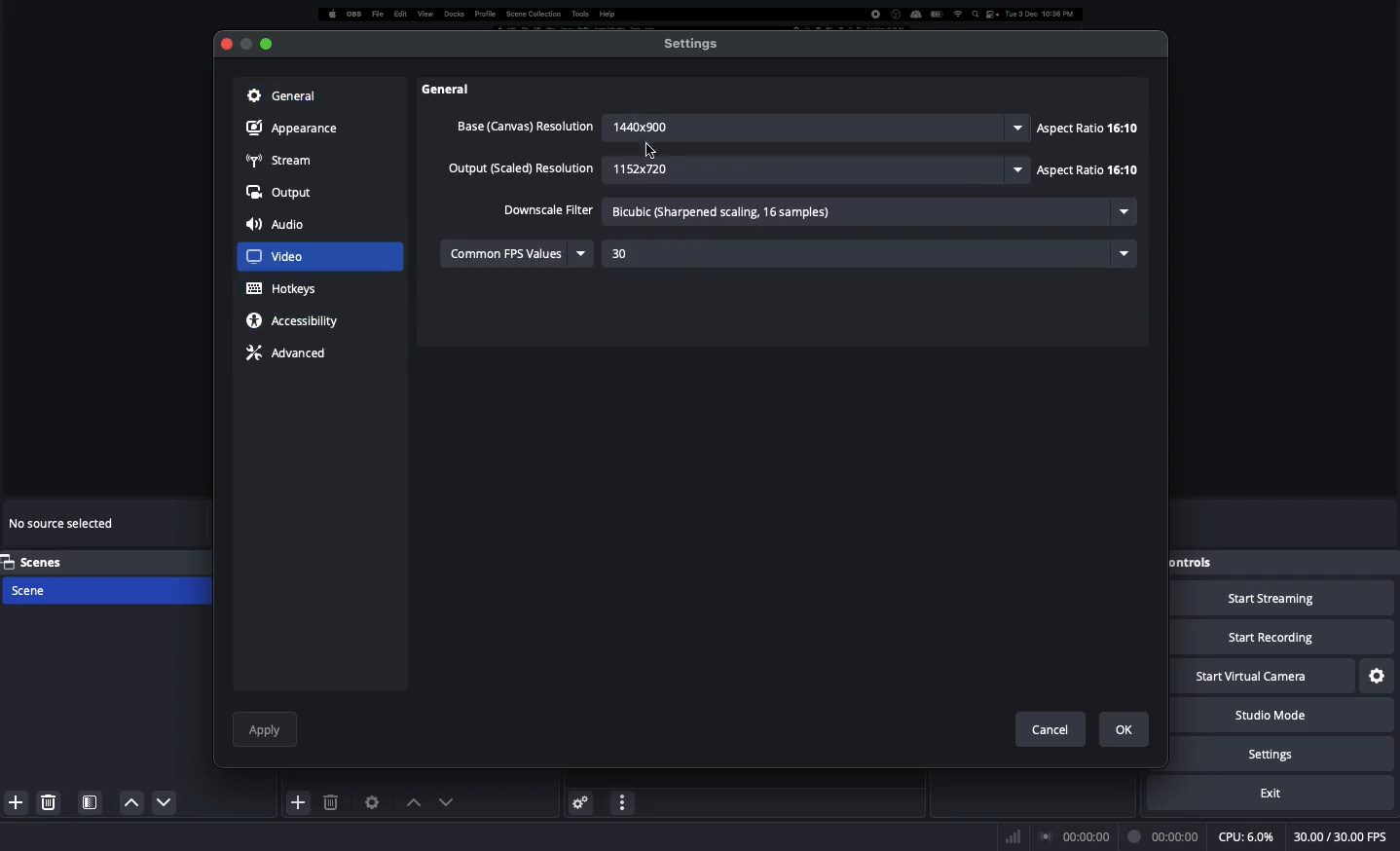  Describe the element at coordinates (623, 800) in the screenshot. I see `Options` at that location.